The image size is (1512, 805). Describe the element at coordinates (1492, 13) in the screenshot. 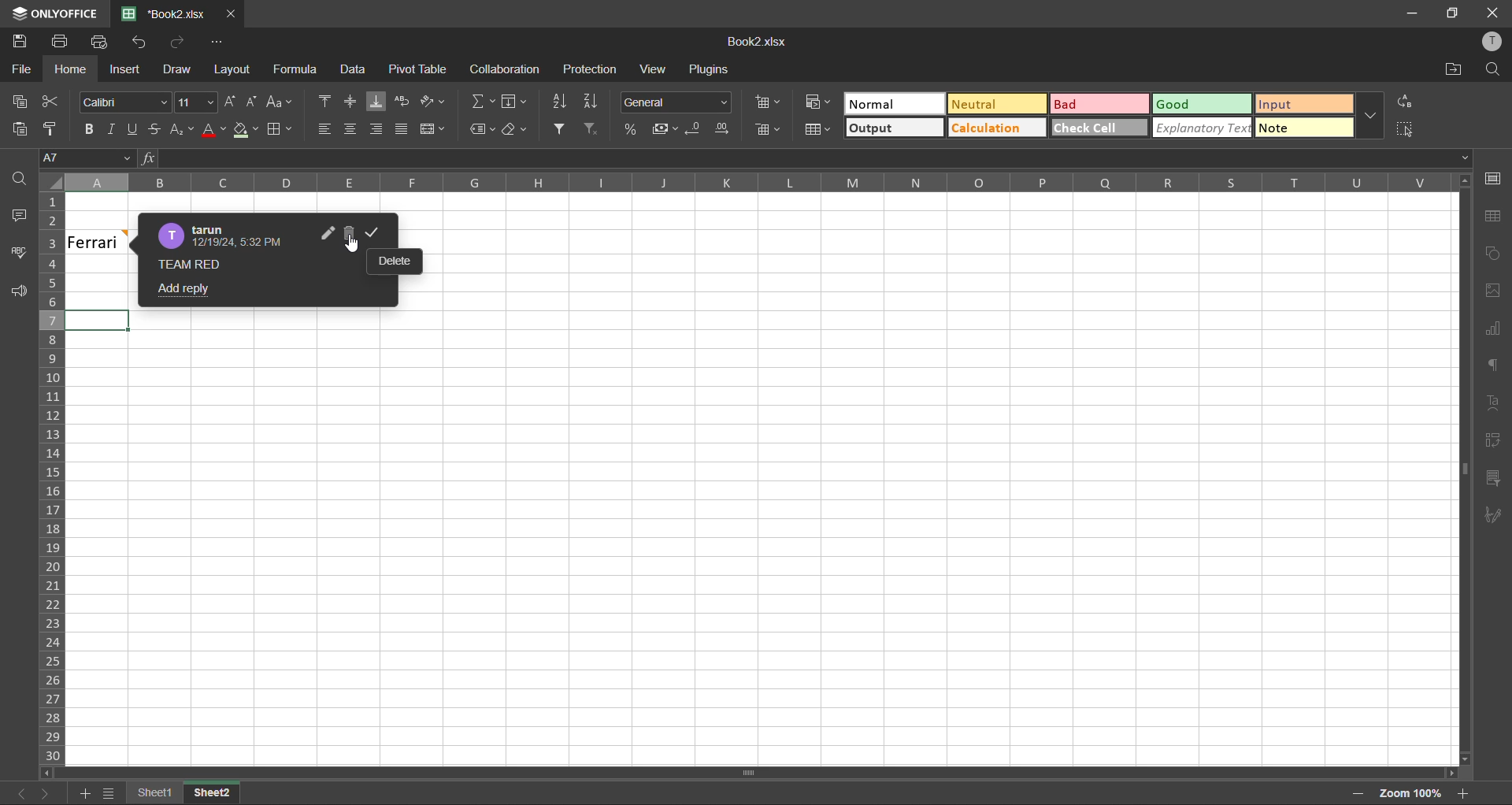

I see `close` at that location.